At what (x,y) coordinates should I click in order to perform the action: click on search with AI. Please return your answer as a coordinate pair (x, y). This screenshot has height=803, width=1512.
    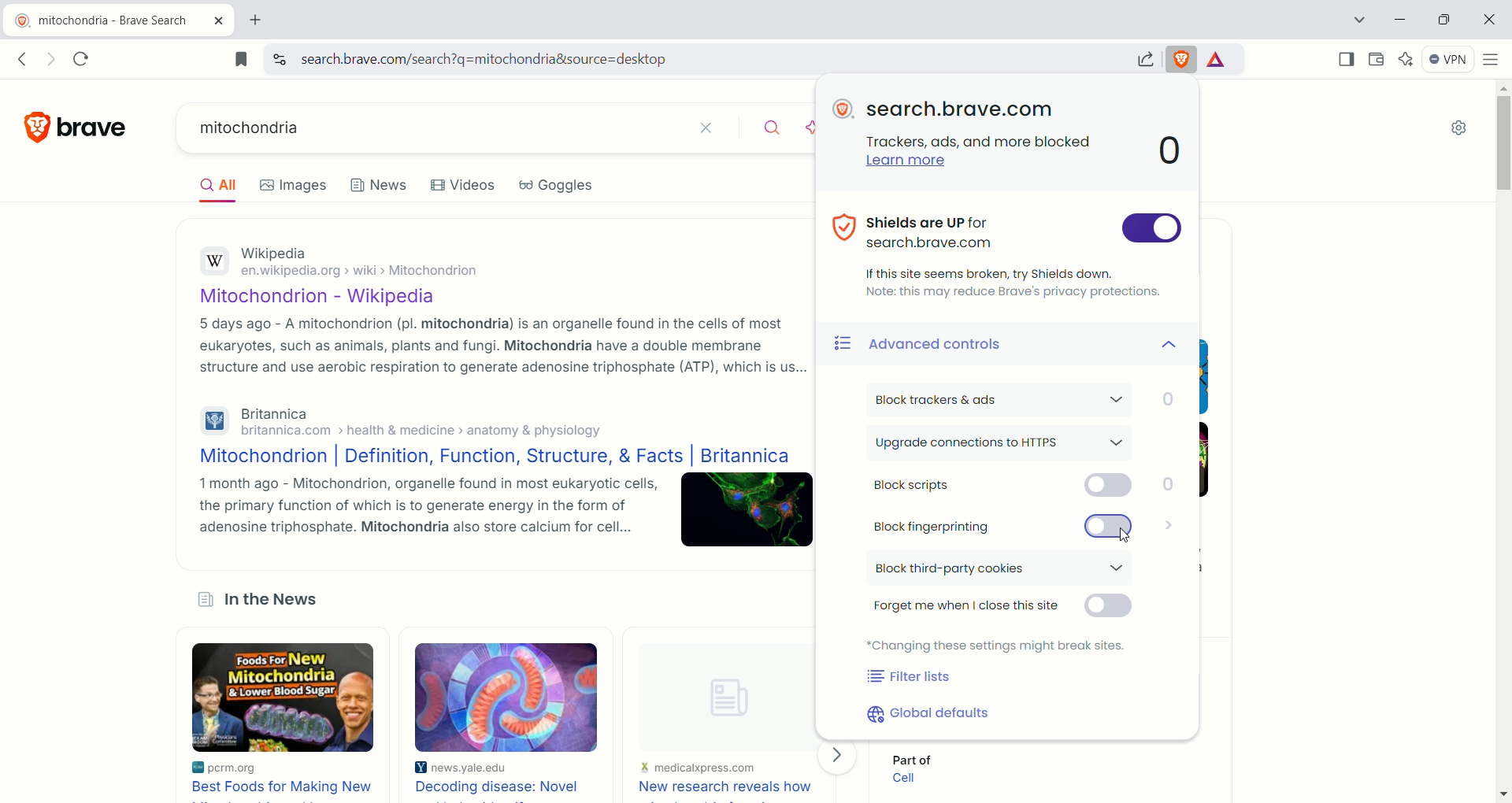
    Looking at the image, I should click on (807, 129).